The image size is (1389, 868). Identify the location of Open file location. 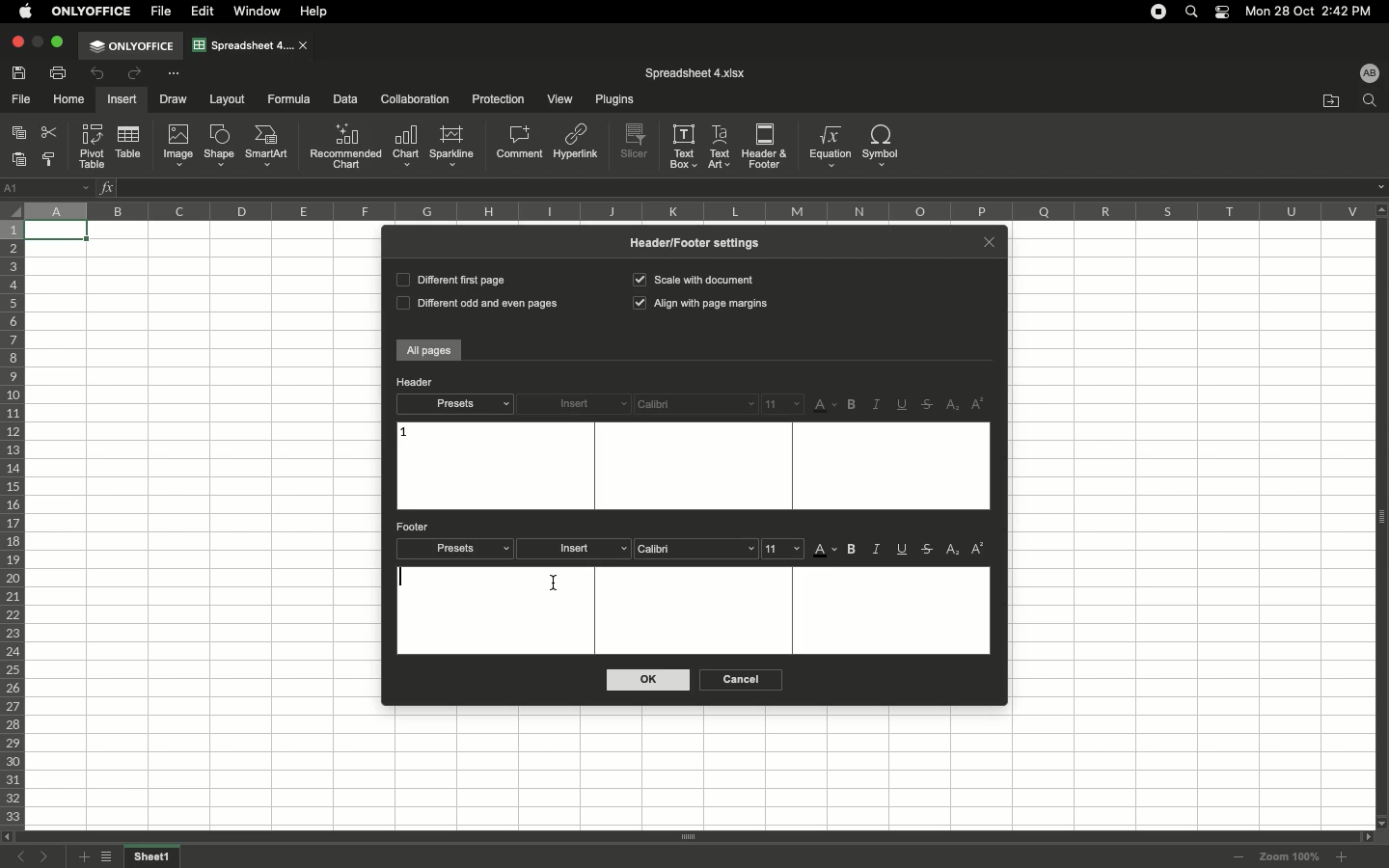
(1331, 101).